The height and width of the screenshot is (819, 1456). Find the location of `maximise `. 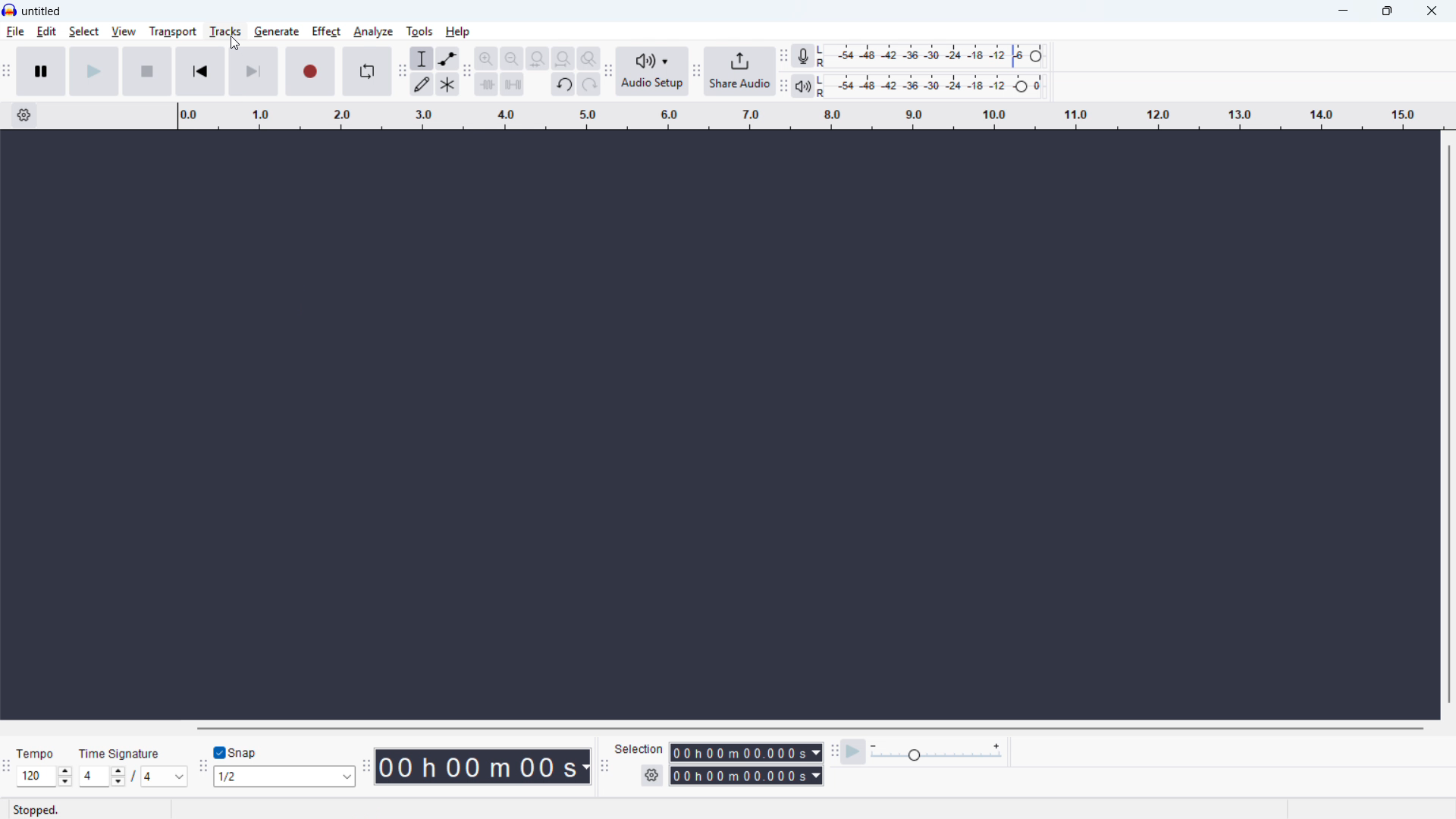

maximise  is located at coordinates (1388, 11).